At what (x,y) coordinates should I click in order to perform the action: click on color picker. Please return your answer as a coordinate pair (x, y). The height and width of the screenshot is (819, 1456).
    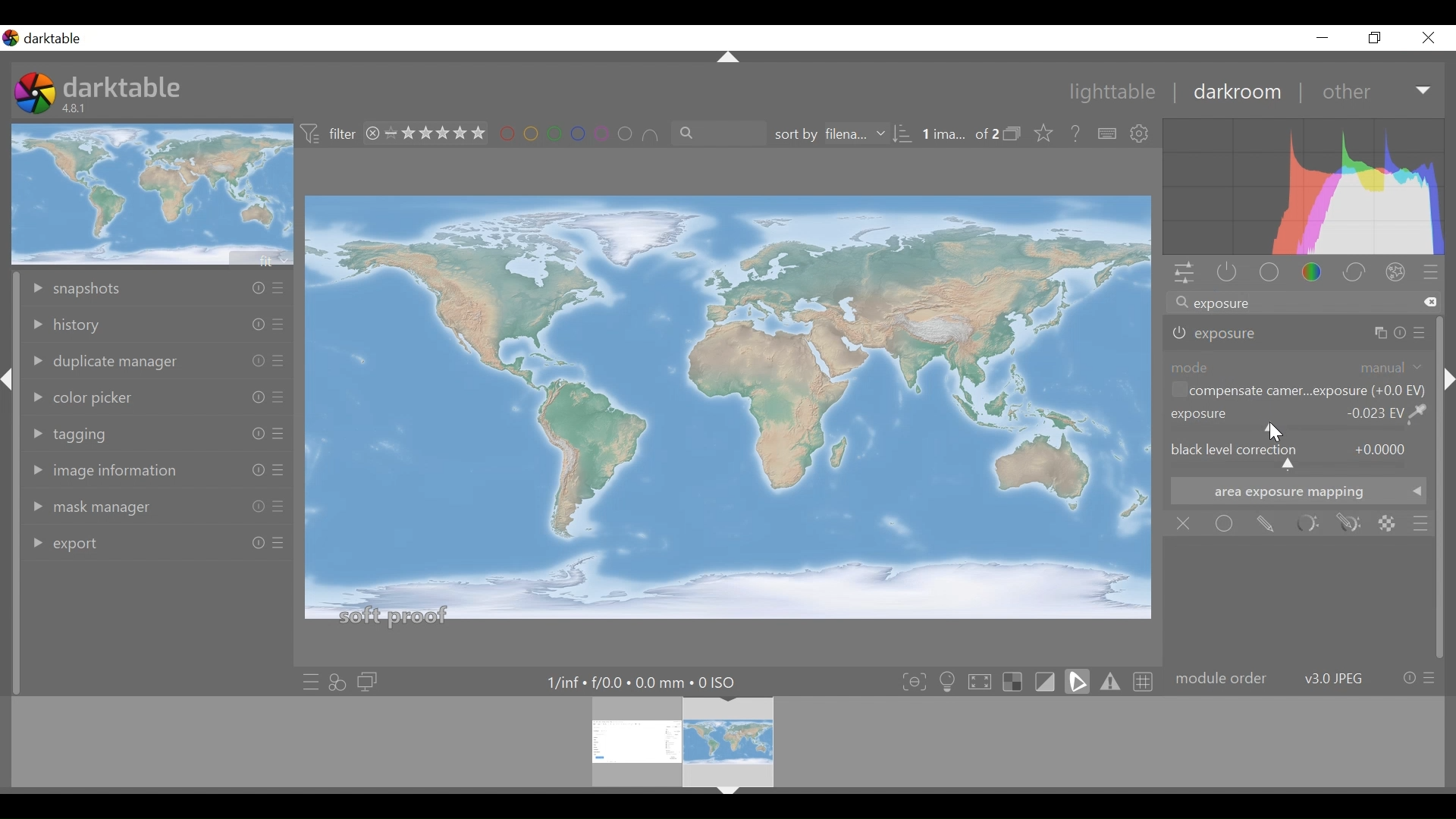
    Looking at the image, I should click on (90, 394).